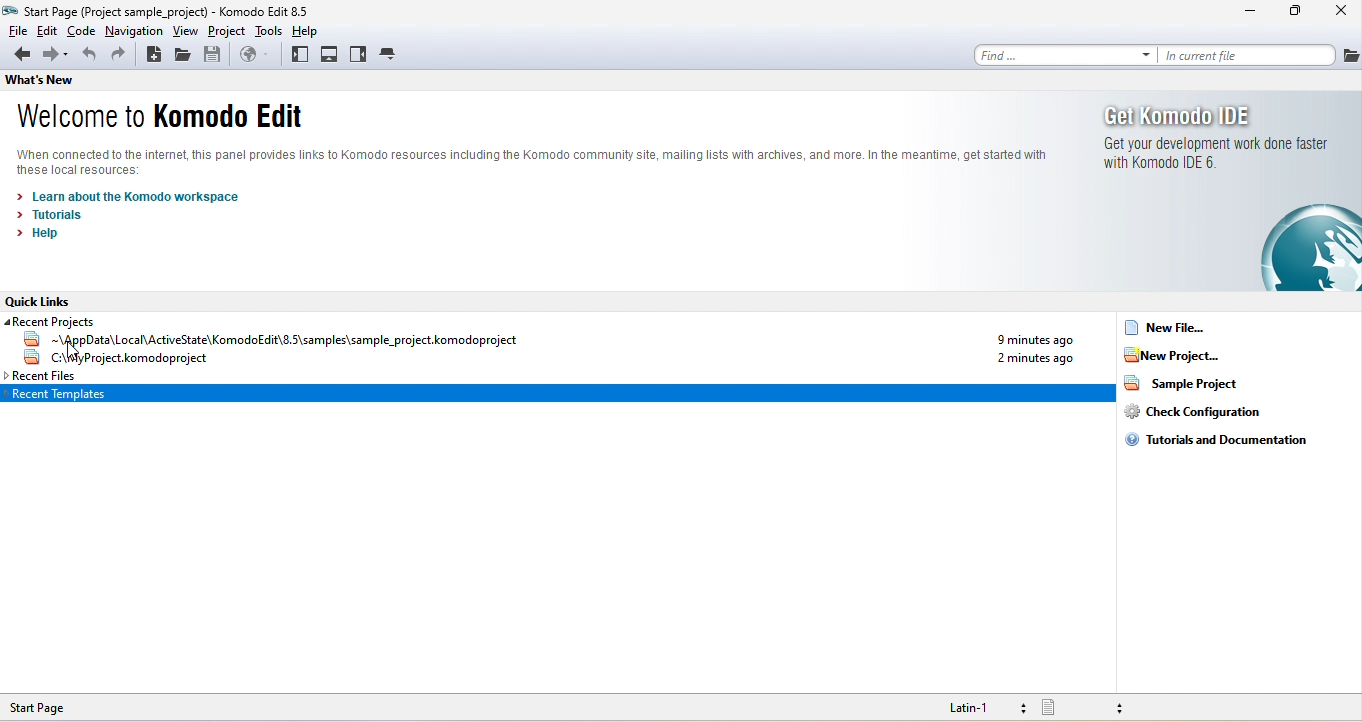 The width and height of the screenshot is (1362, 722). Describe the element at coordinates (18, 53) in the screenshot. I see `back ` at that location.